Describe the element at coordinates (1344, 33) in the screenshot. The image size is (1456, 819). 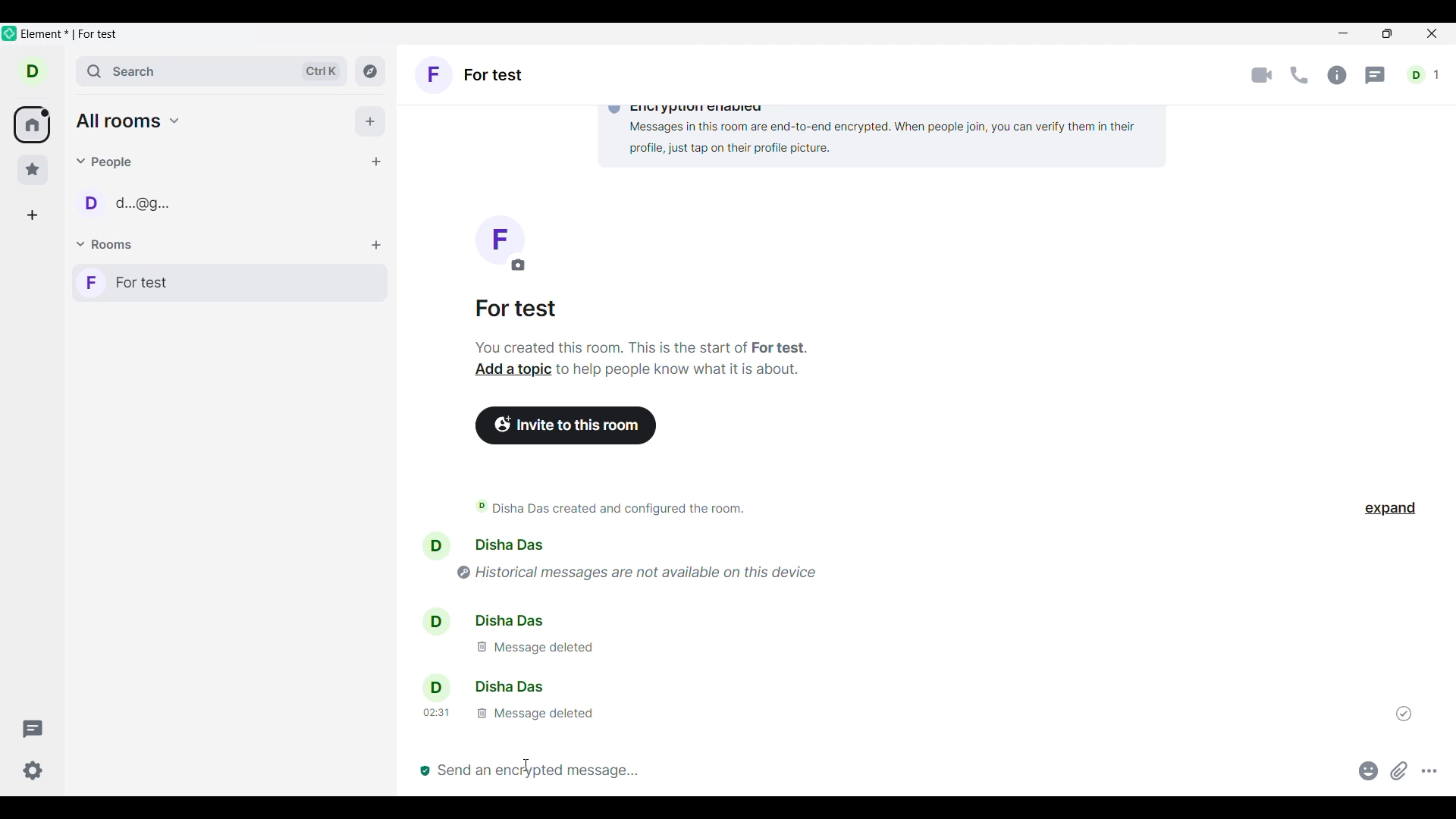
I see `Minimize` at that location.